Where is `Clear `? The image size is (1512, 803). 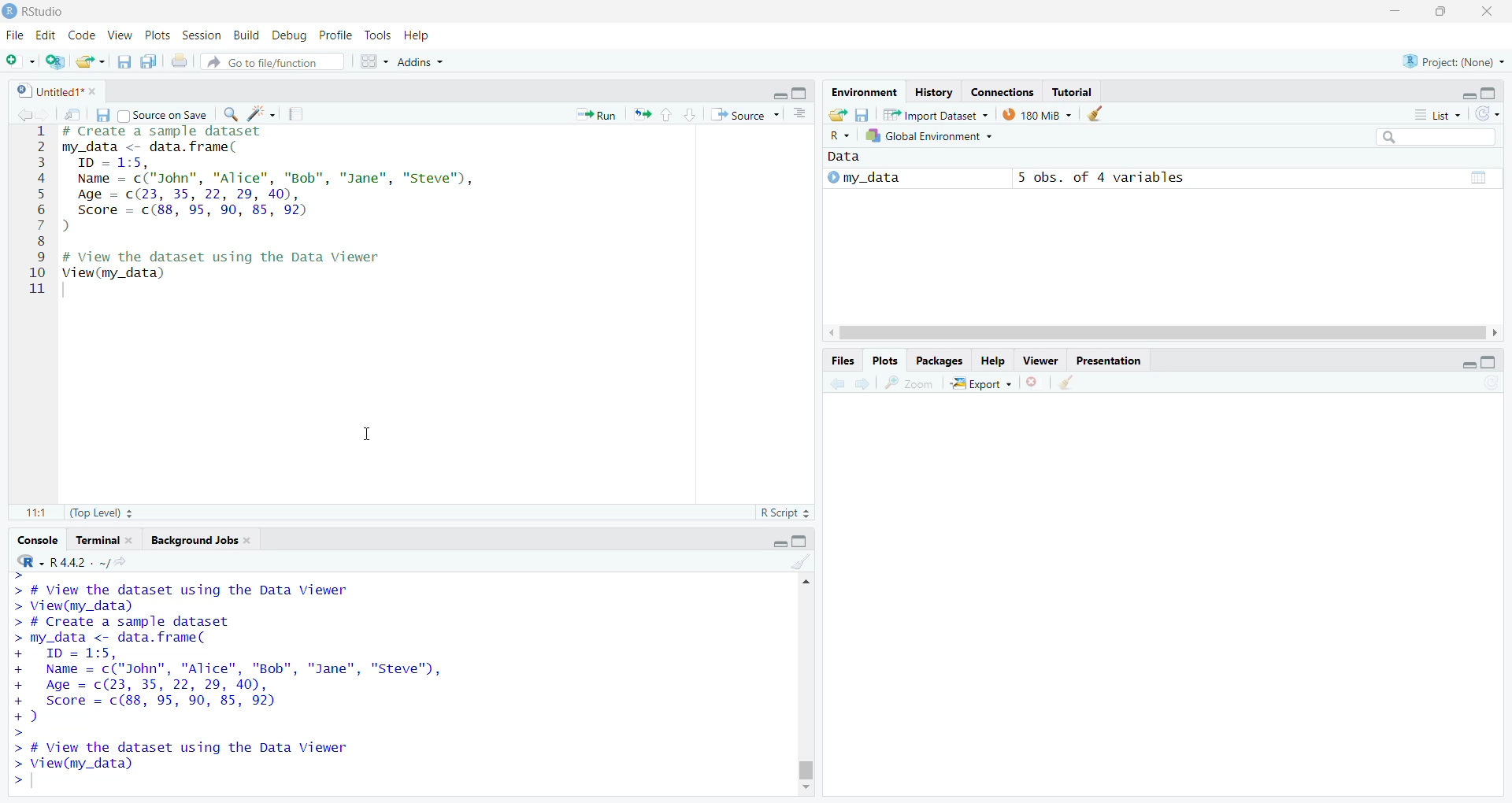 Clear  is located at coordinates (263, 114).